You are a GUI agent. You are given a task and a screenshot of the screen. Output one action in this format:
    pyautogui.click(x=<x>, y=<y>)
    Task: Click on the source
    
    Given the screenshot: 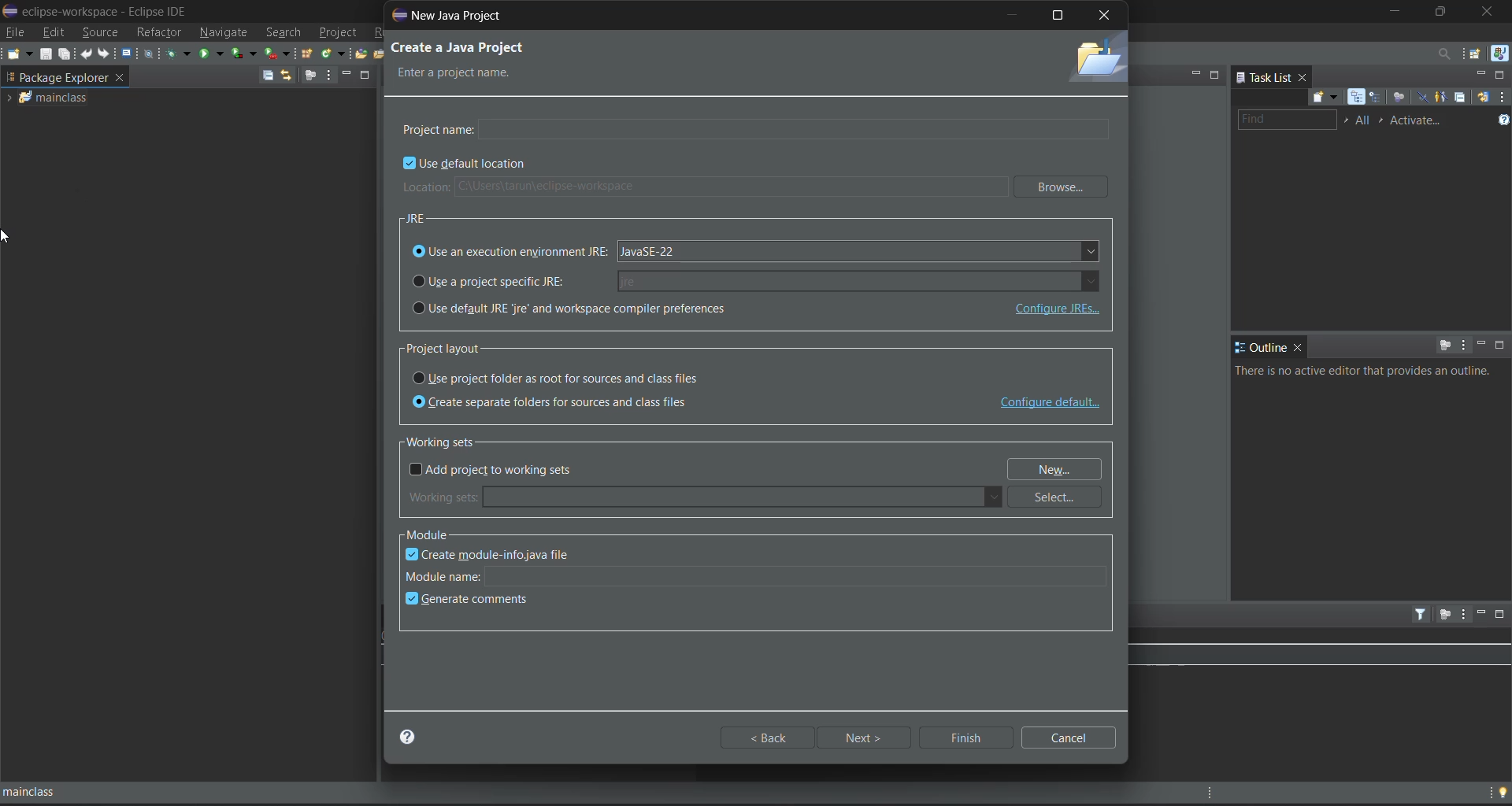 What is the action you would take?
    pyautogui.click(x=102, y=31)
    